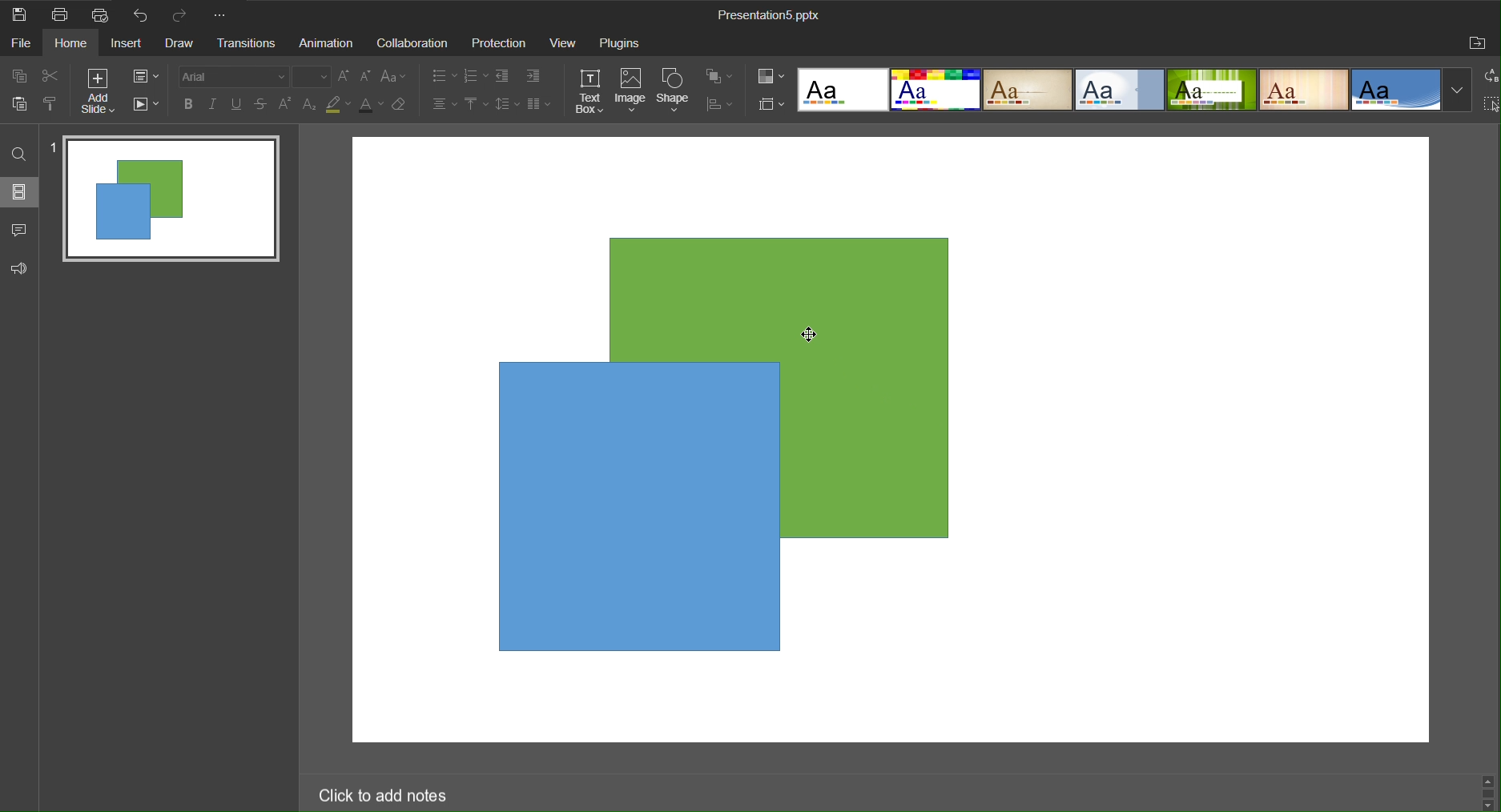 This screenshot has height=812, width=1501. What do you see at coordinates (53, 105) in the screenshot?
I see `Copy Style` at bounding box center [53, 105].